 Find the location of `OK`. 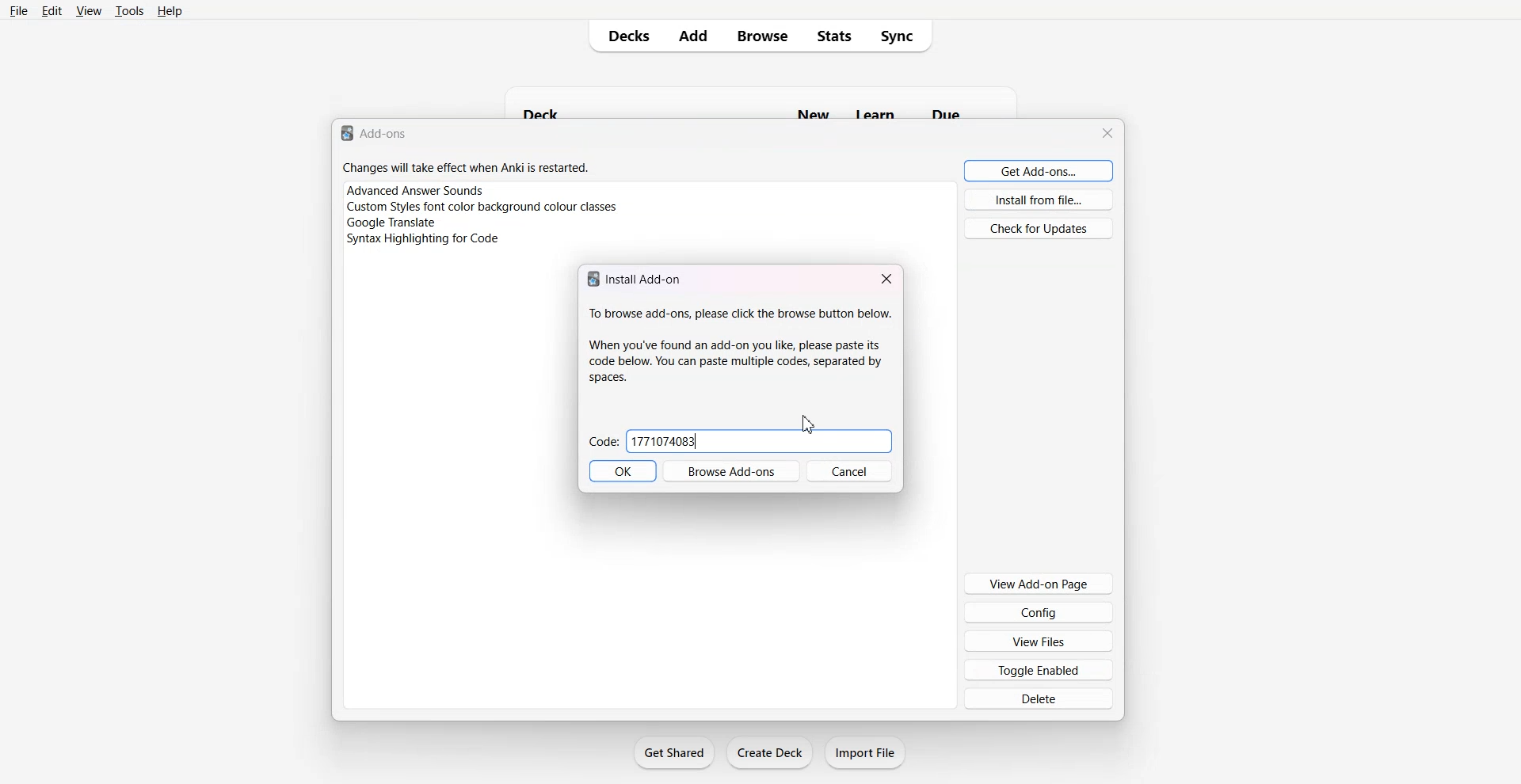

OK is located at coordinates (623, 471).